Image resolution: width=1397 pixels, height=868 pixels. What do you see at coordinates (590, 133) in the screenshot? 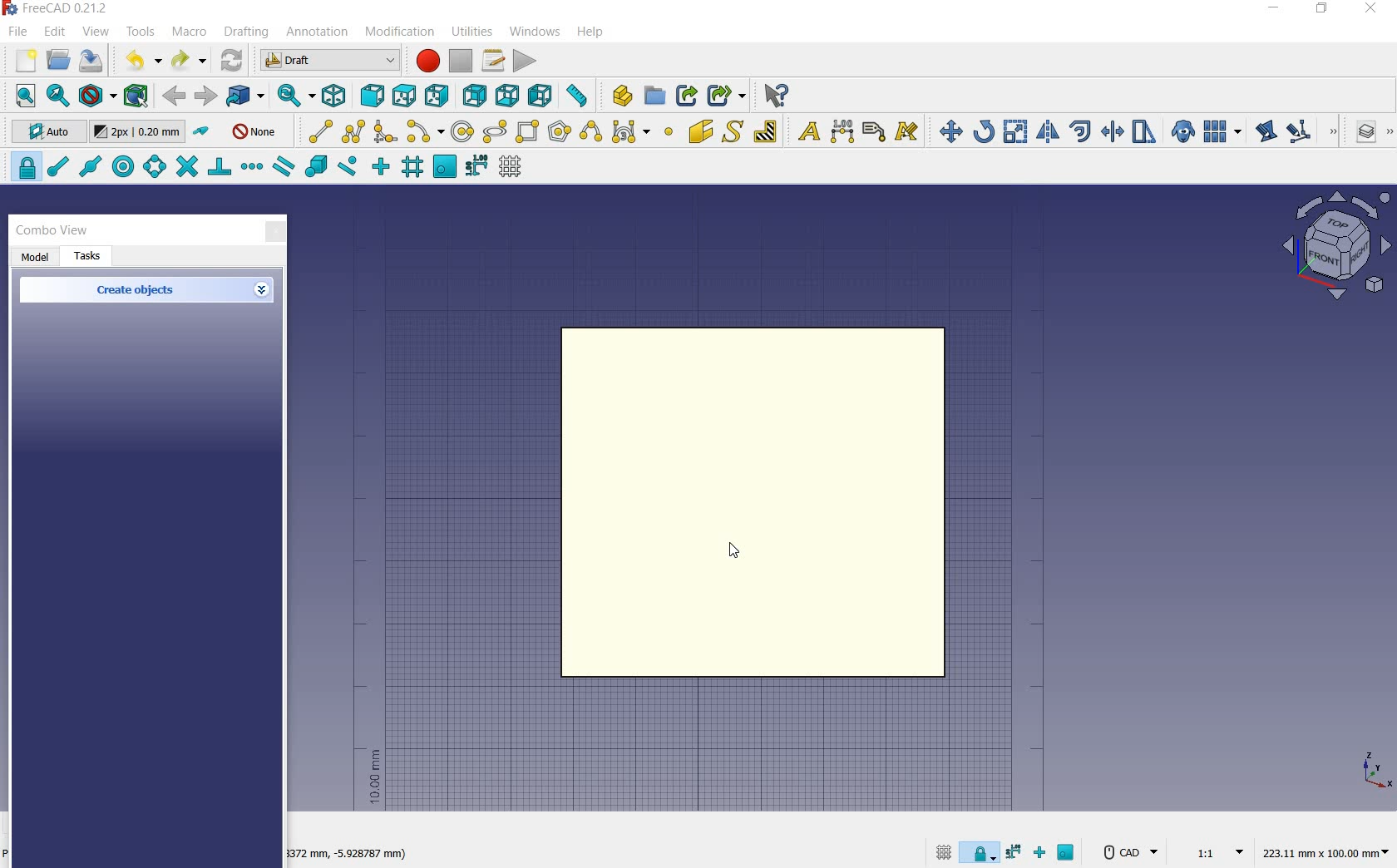
I see `b-spline` at bounding box center [590, 133].